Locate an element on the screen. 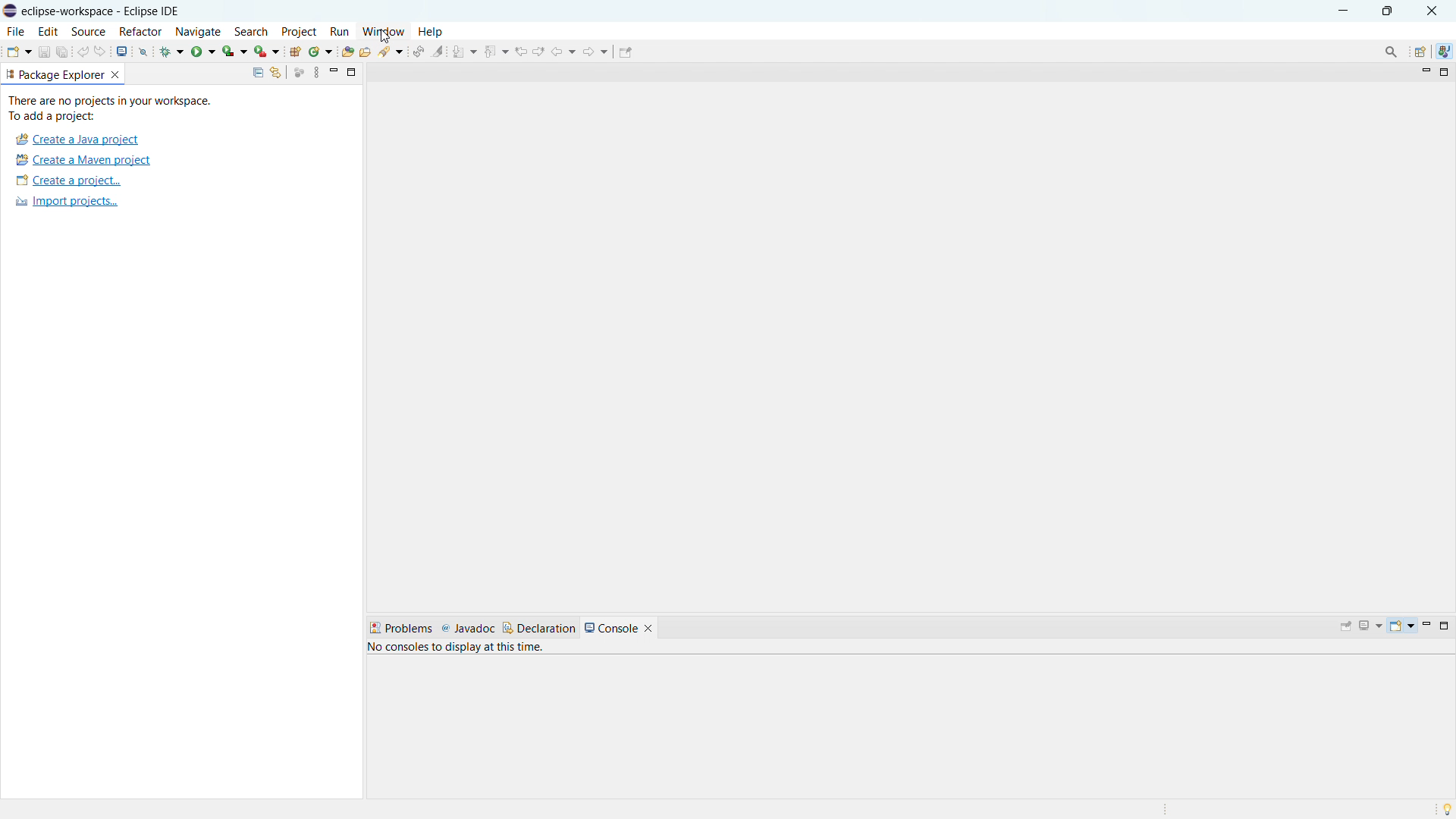  close console is located at coordinates (648, 628).